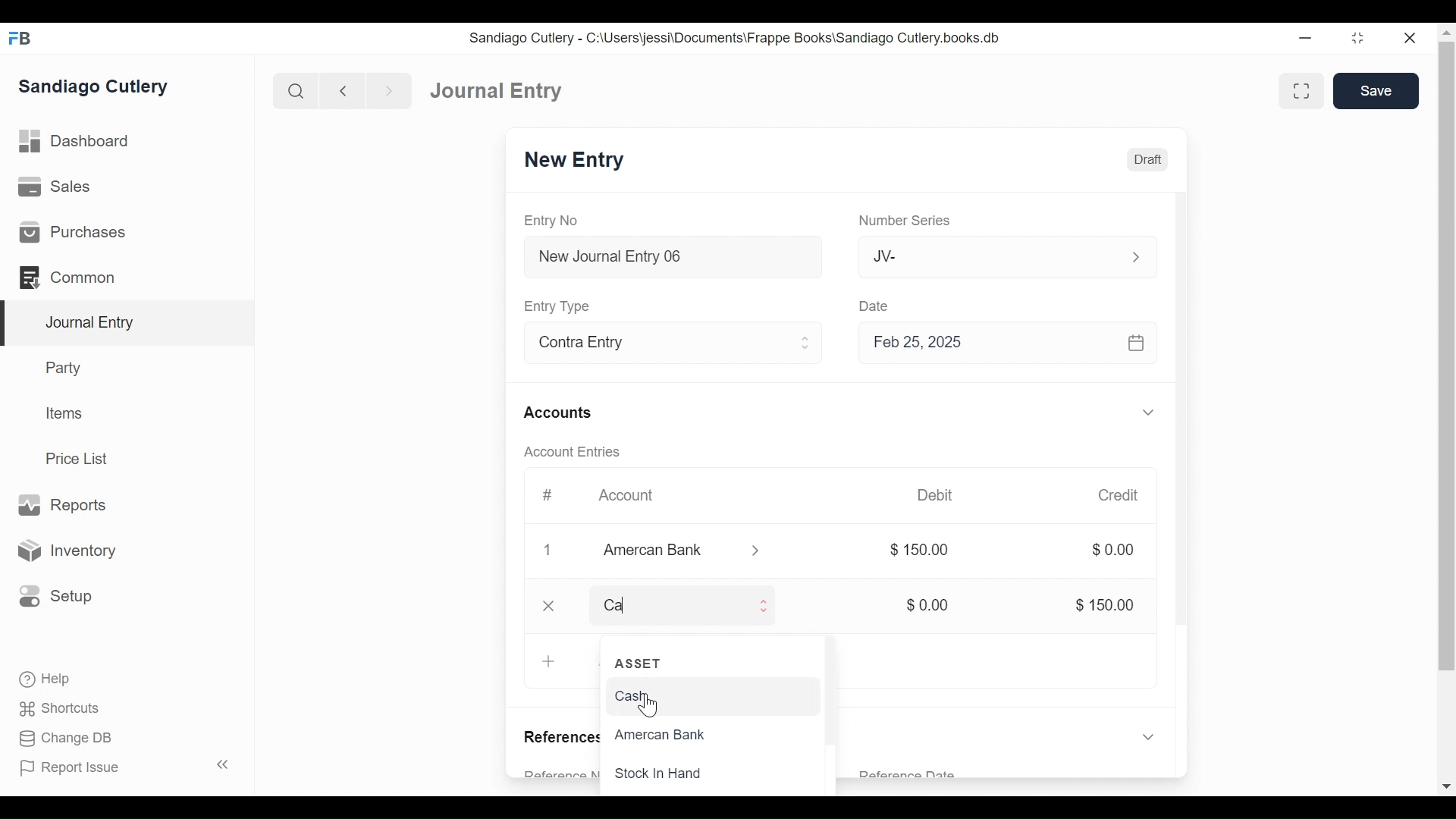  What do you see at coordinates (999, 342) in the screenshot?
I see `Feb 25, 2025` at bounding box center [999, 342].